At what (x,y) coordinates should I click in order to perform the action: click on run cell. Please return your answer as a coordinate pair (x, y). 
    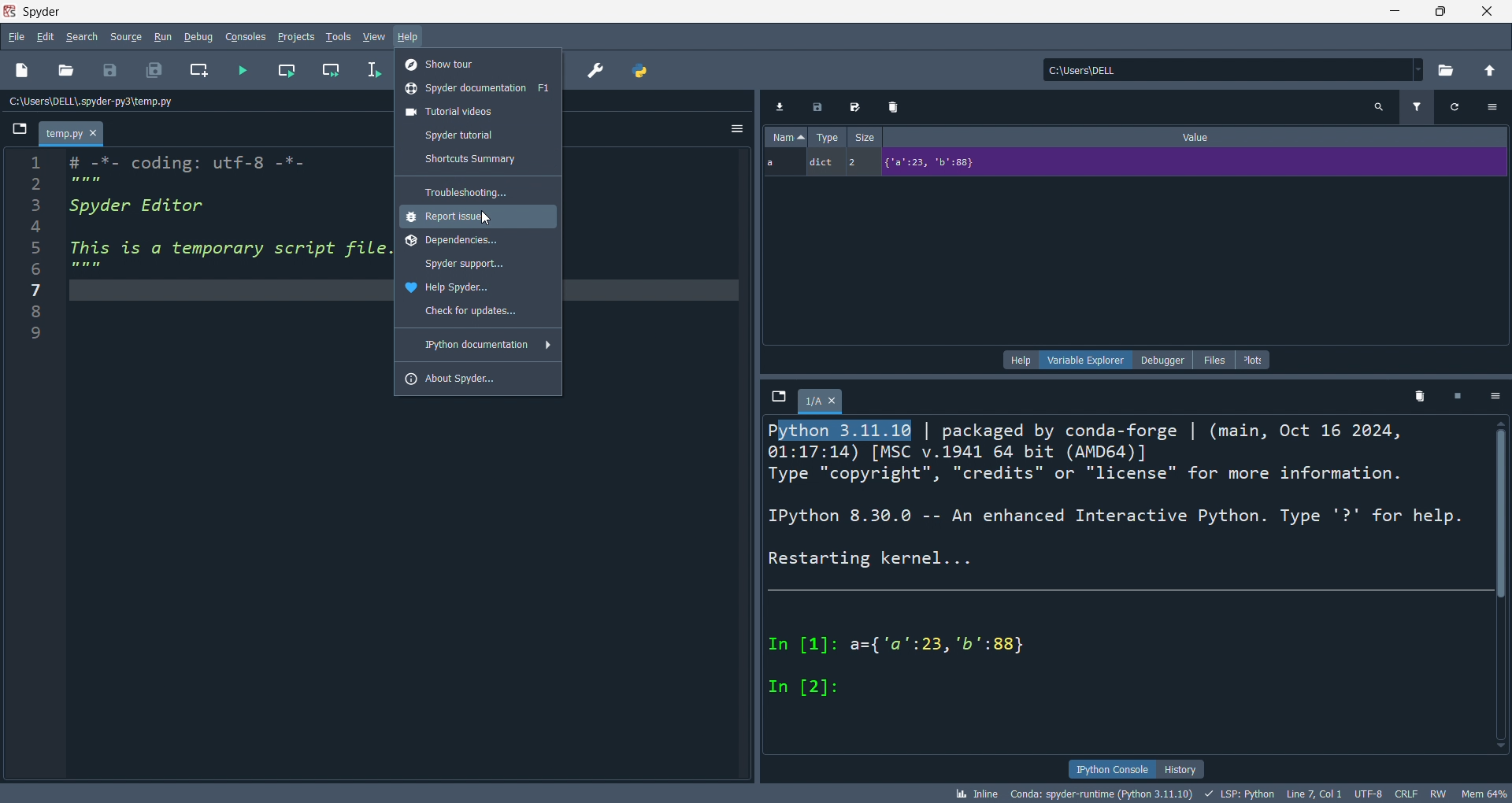
    Looking at the image, I should click on (290, 72).